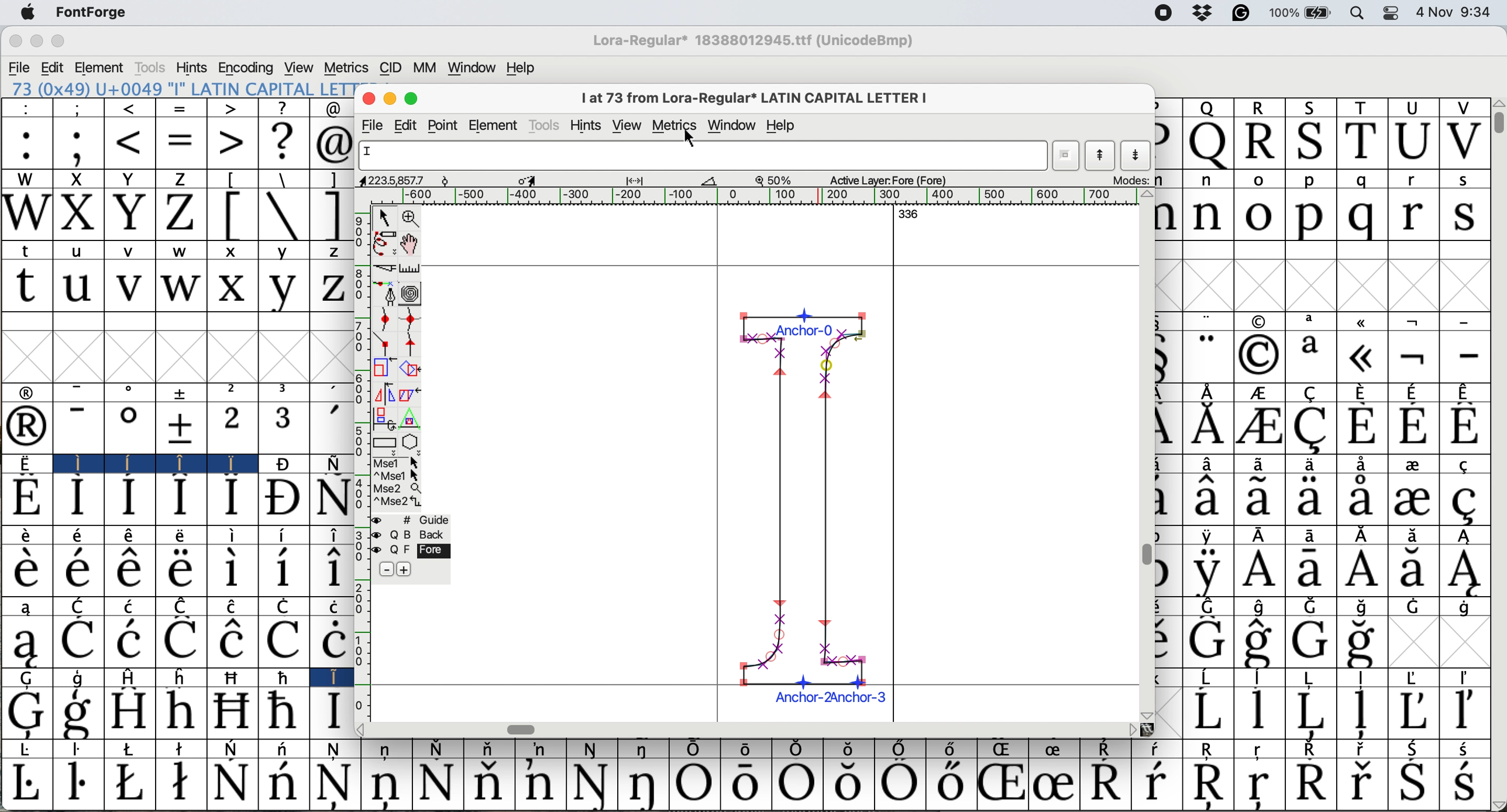 Image resolution: width=1507 pixels, height=812 pixels. Describe the element at coordinates (592, 750) in the screenshot. I see `Symbol` at that location.